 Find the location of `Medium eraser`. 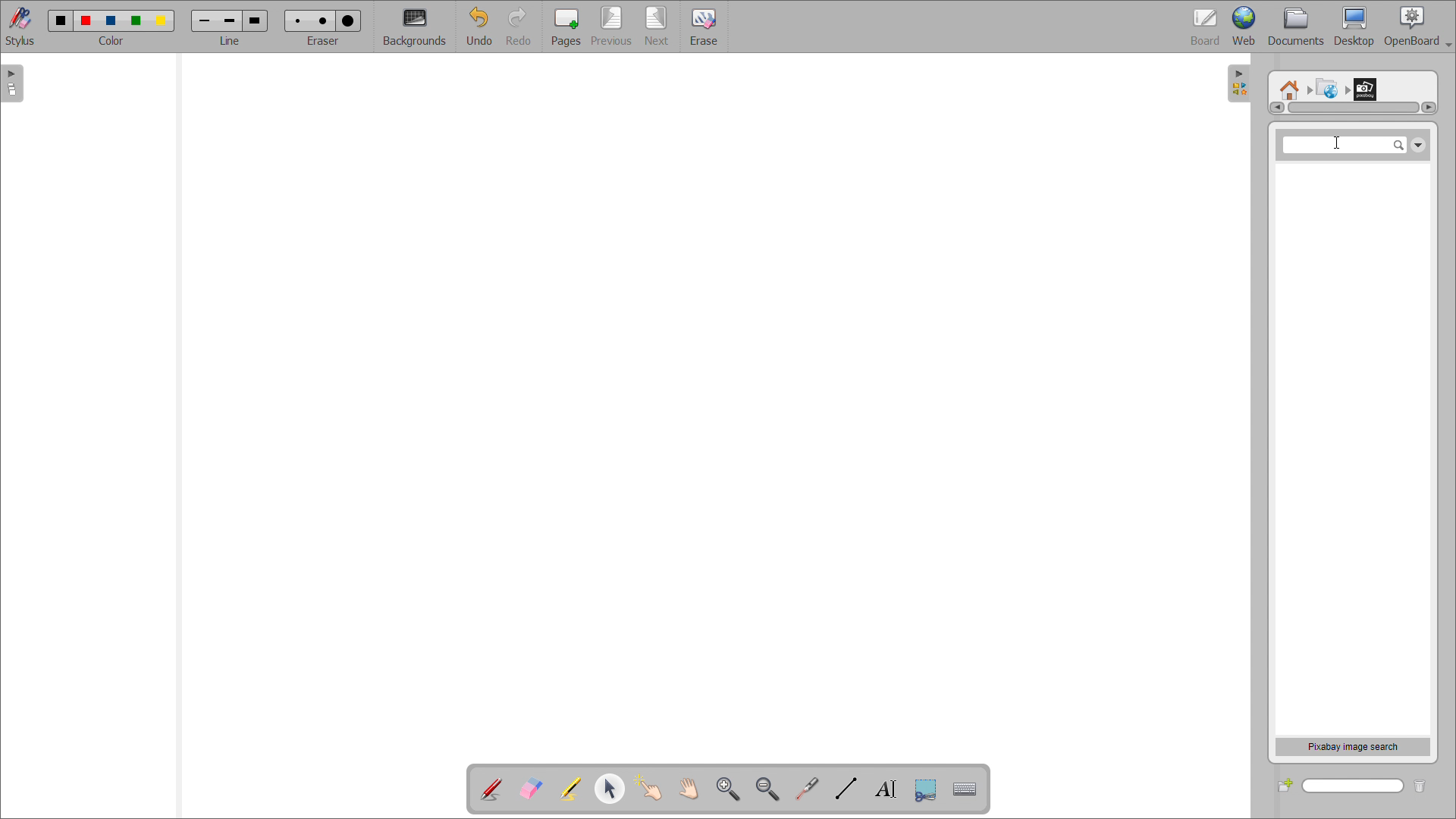

Medium eraser is located at coordinates (322, 19).